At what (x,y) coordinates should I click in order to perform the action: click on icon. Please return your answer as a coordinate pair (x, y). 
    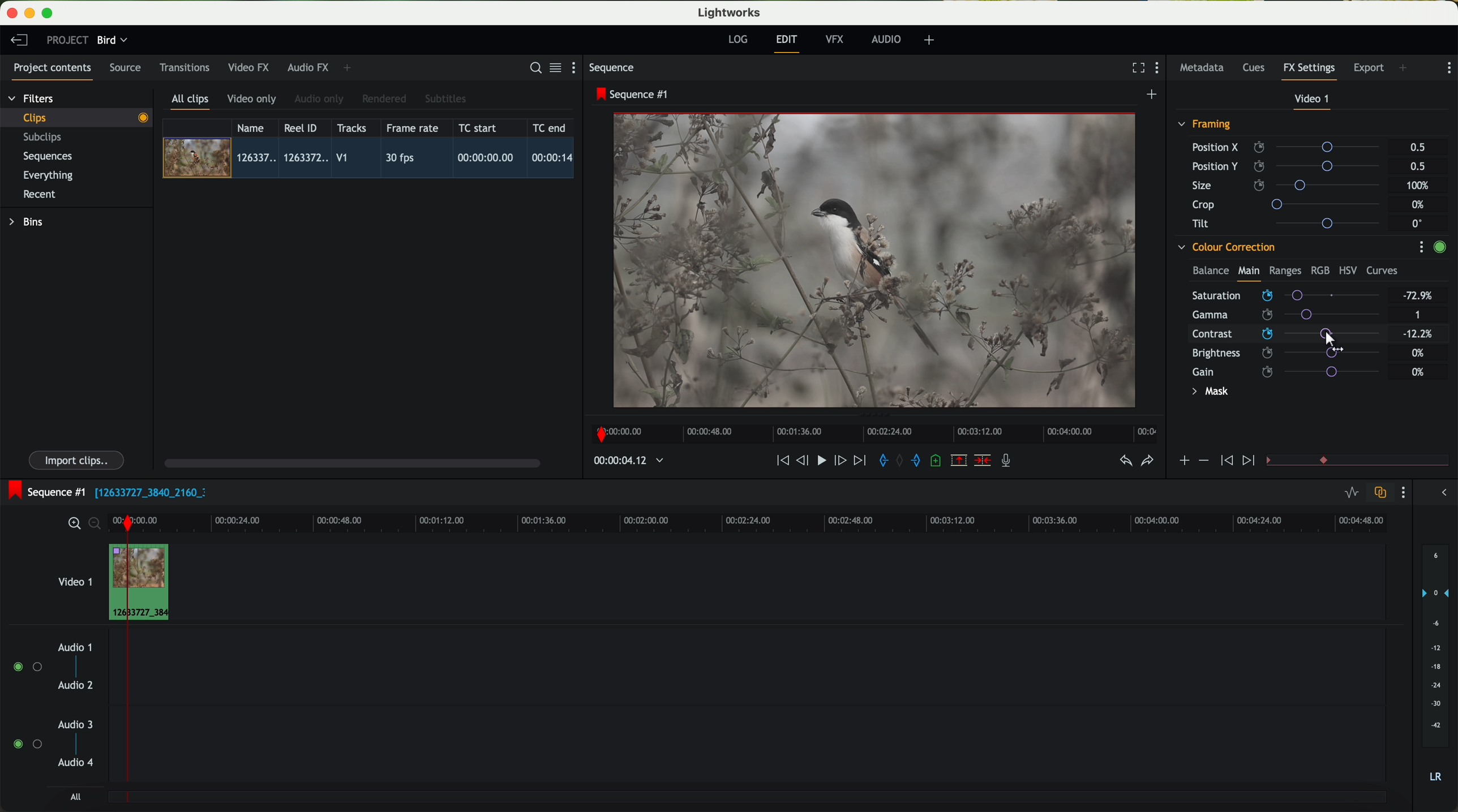
    Looking at the image, I should click on (1203, 461).